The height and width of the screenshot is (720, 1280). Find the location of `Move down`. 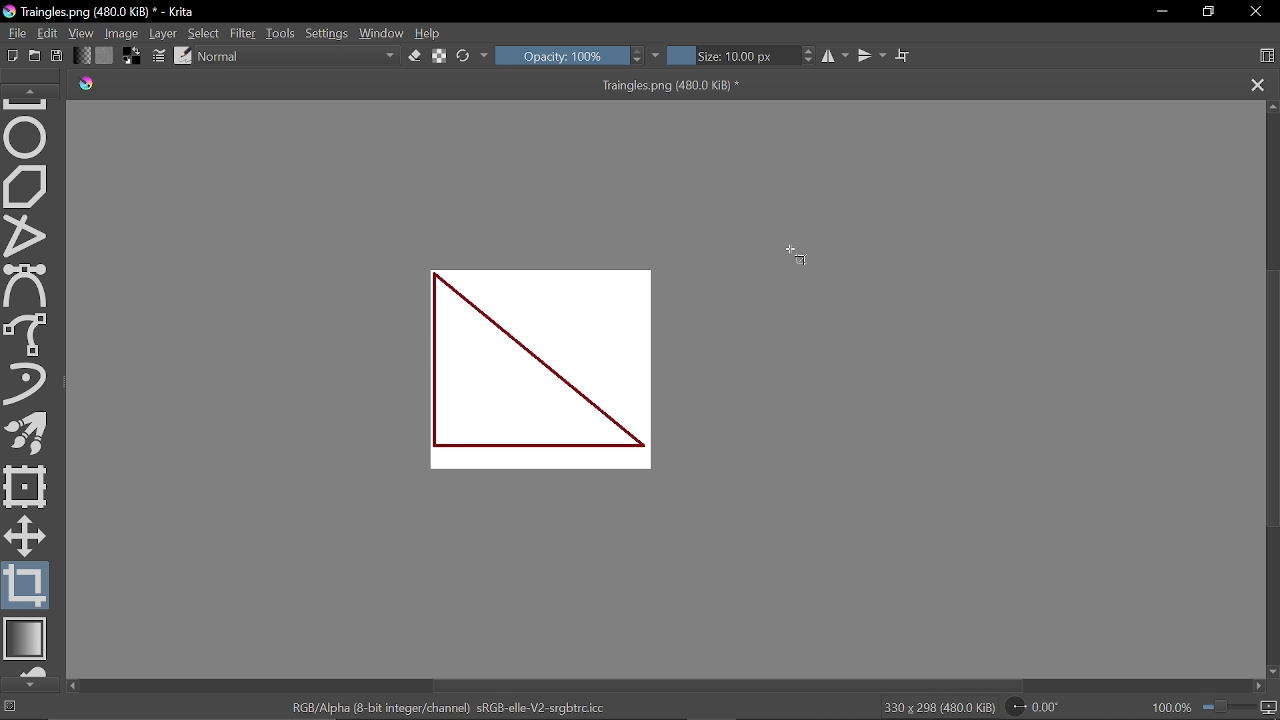

Move down is located at coordinates (1272, 672).